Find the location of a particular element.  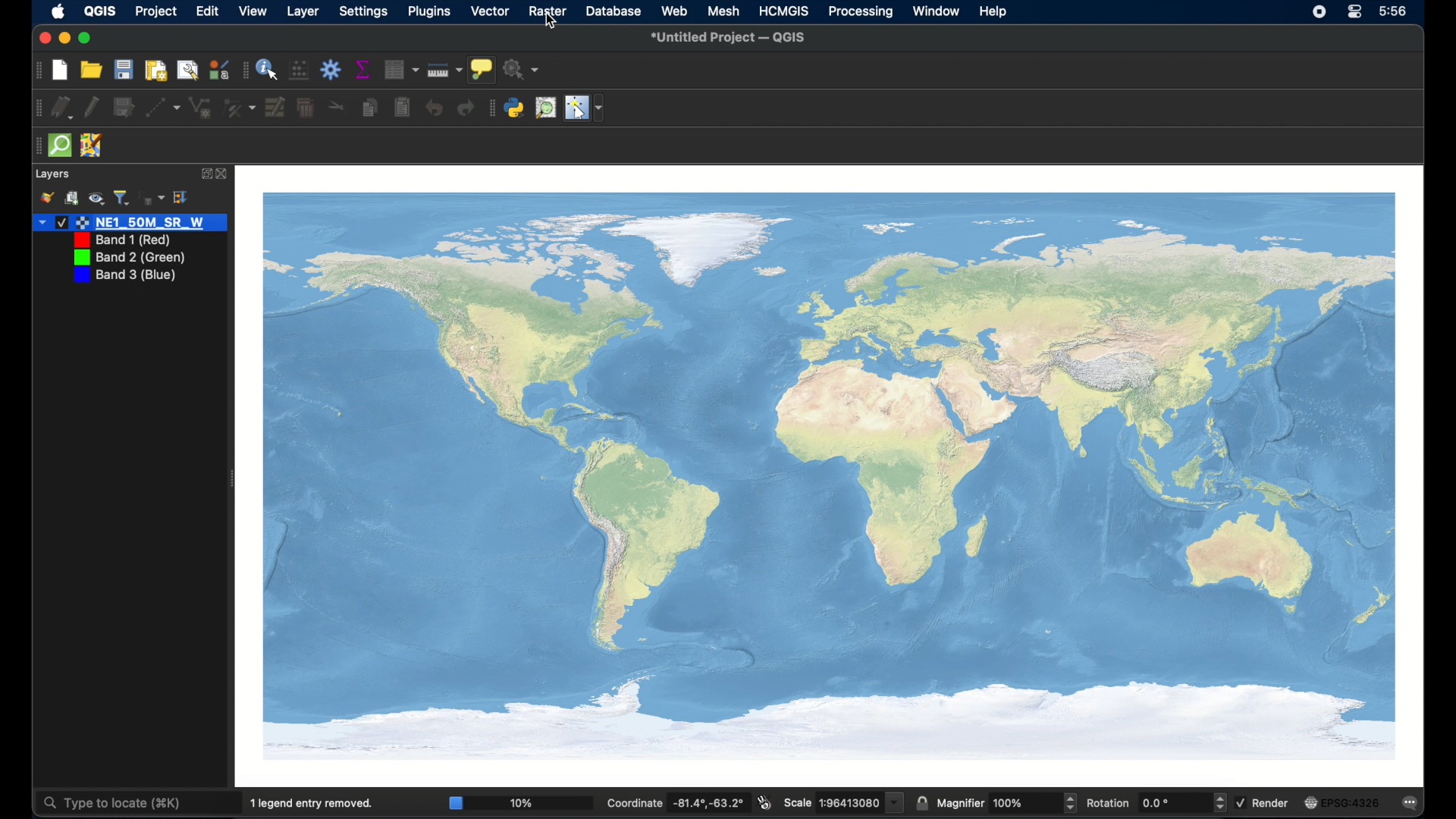

jsom remote is located at coordinates (93, 144).